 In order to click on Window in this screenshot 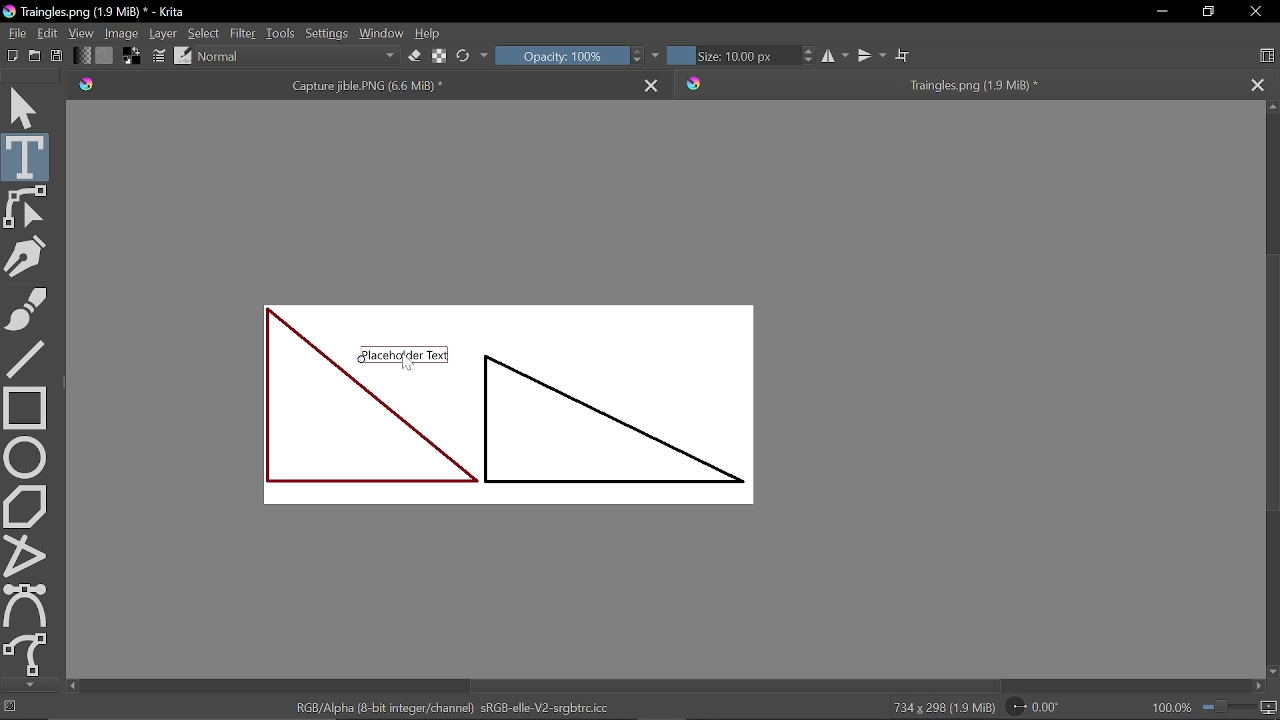, I will do `click(380, 33)`.